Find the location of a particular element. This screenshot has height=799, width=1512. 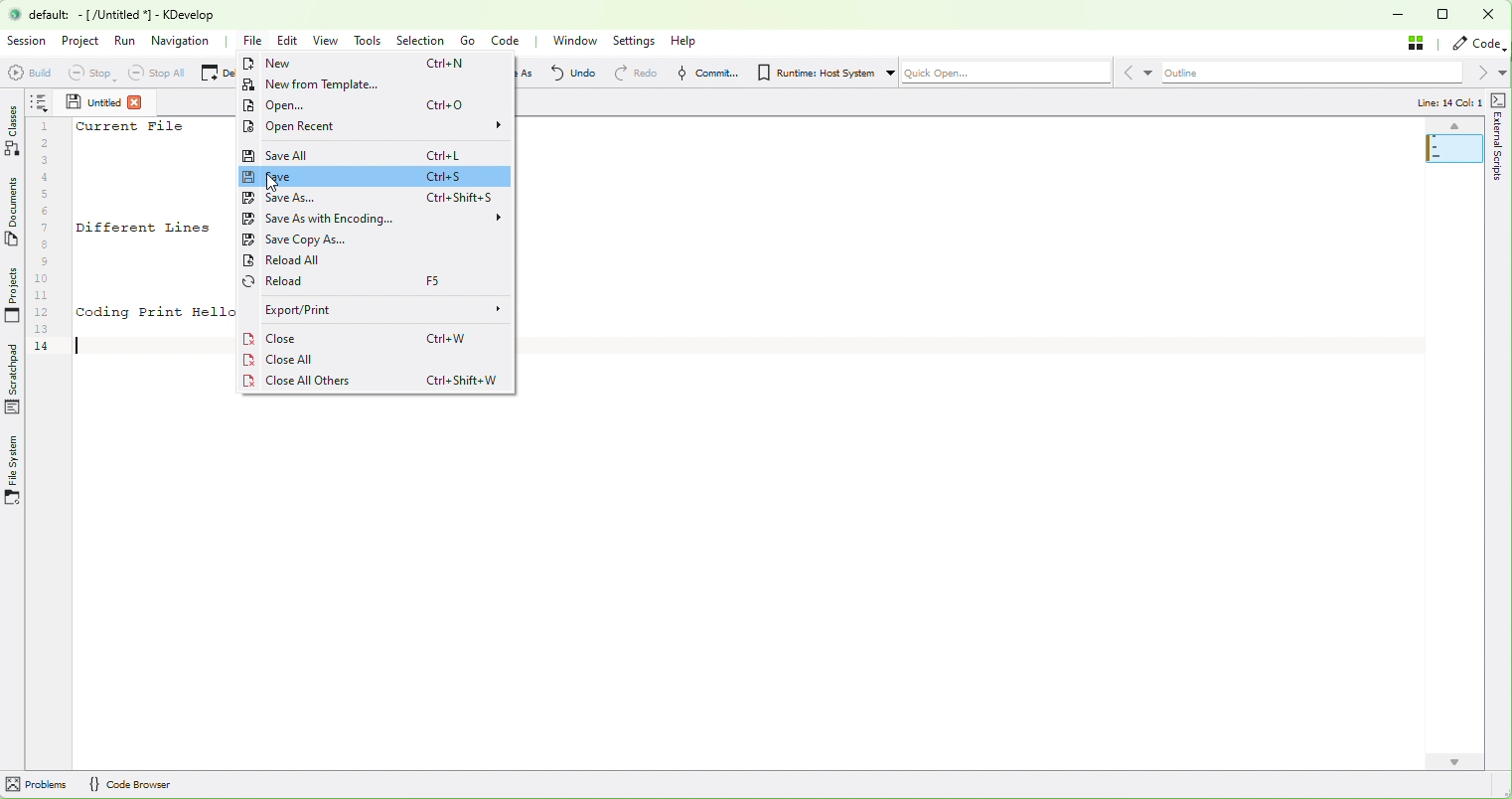

logo is located at coordinates (15, 14).